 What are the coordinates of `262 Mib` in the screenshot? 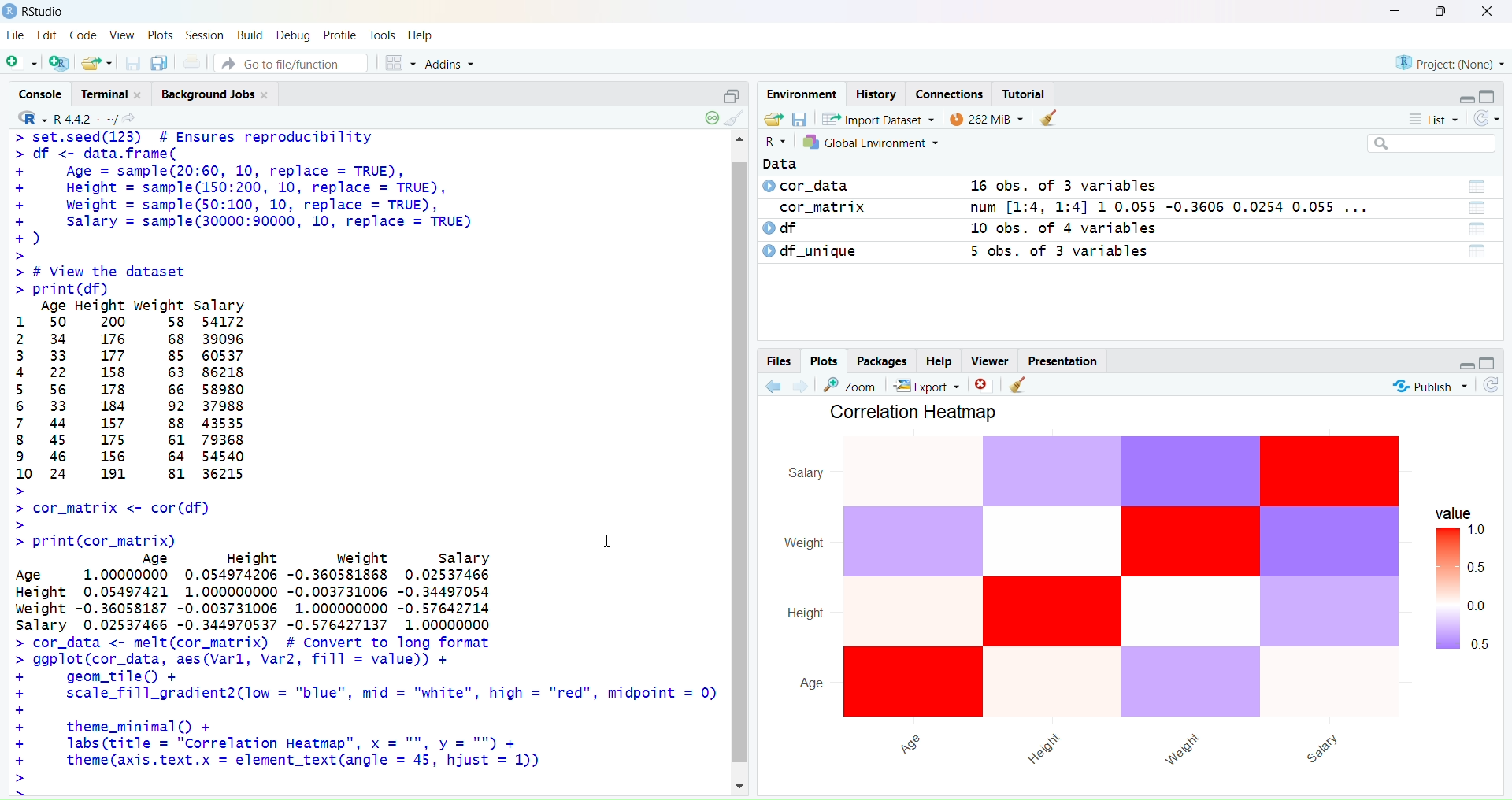 It's located at (986, 117).